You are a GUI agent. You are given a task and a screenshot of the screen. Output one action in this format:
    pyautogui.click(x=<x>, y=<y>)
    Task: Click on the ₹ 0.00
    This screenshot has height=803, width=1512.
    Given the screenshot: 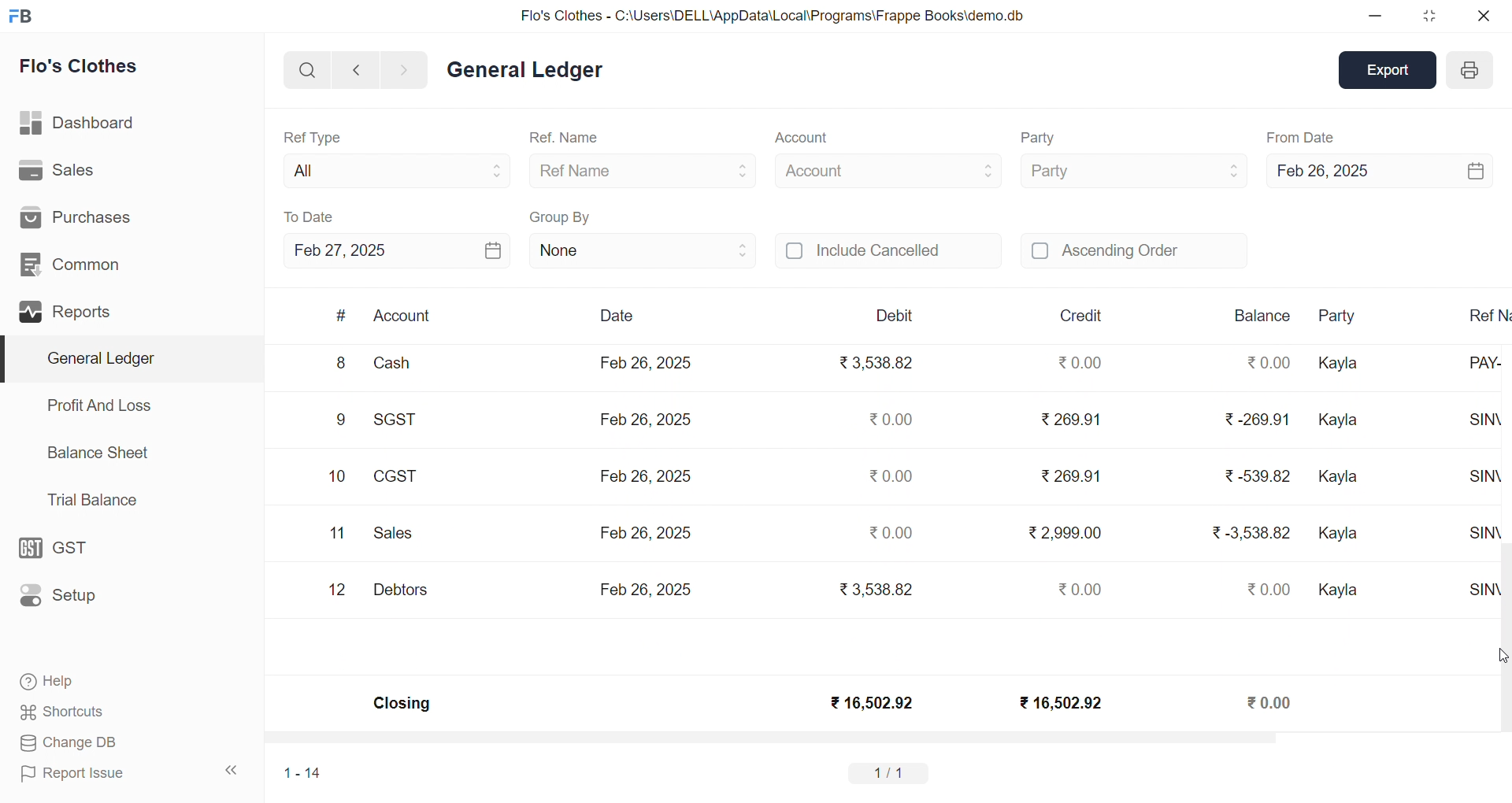 What is the action you would take?
    pyautogui.click(x=1077, y=362)
    